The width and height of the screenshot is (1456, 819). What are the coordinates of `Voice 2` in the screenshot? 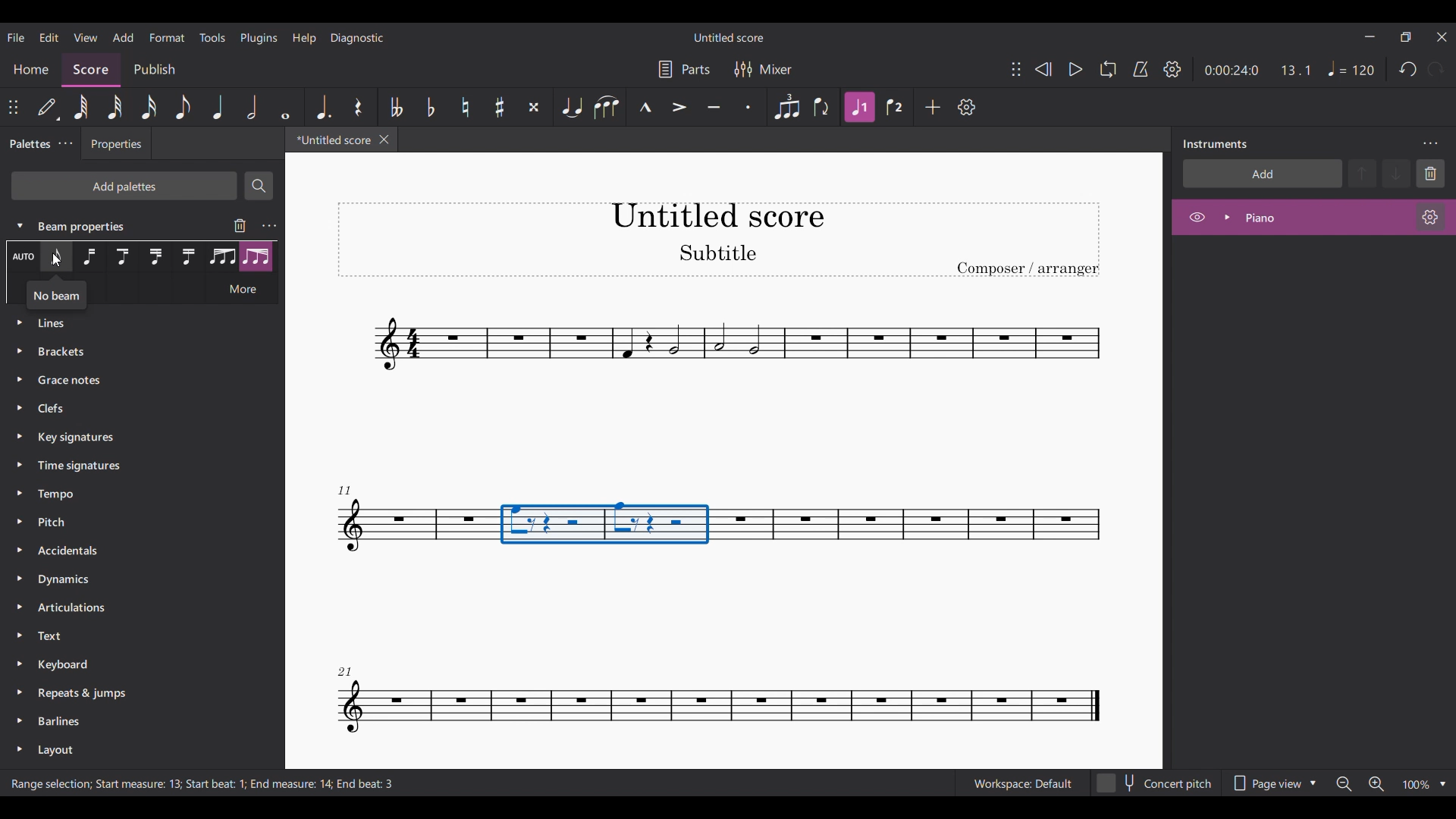 It's located at (894, 107).